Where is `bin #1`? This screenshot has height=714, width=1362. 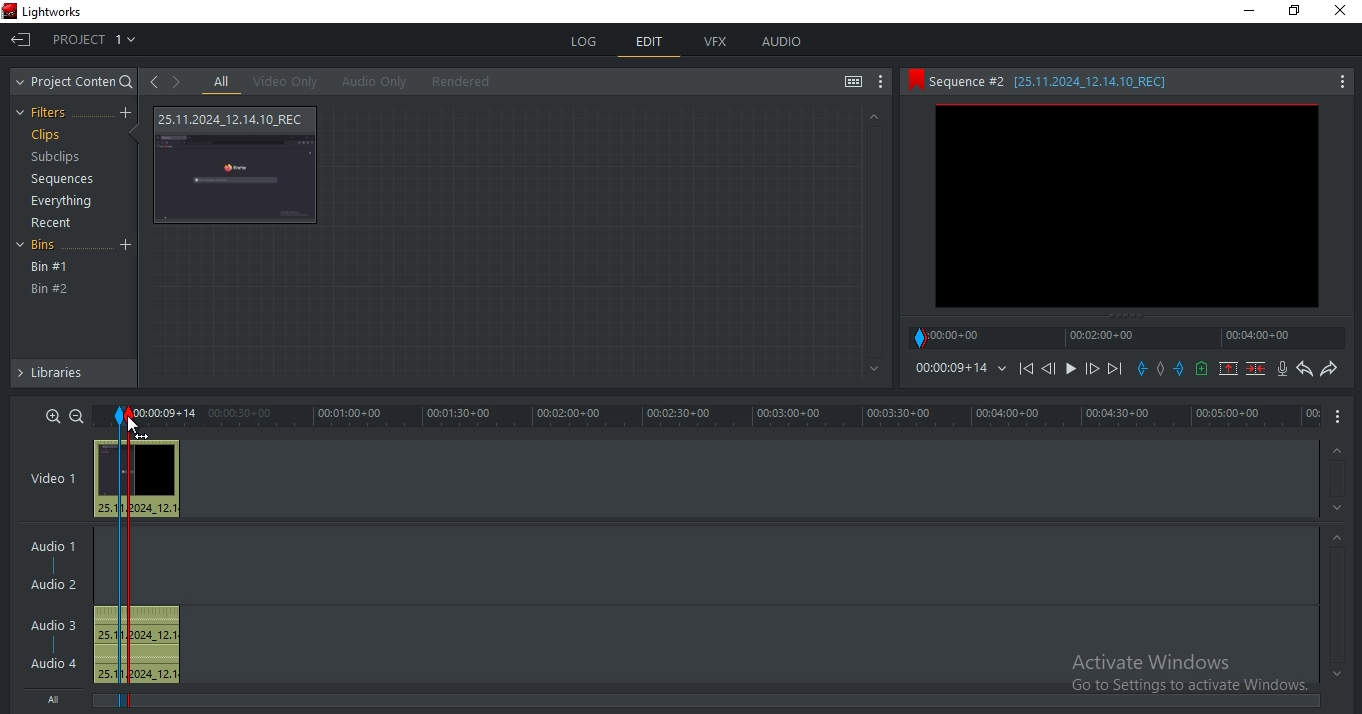
bin #1 is located at coordinates (50, 267).